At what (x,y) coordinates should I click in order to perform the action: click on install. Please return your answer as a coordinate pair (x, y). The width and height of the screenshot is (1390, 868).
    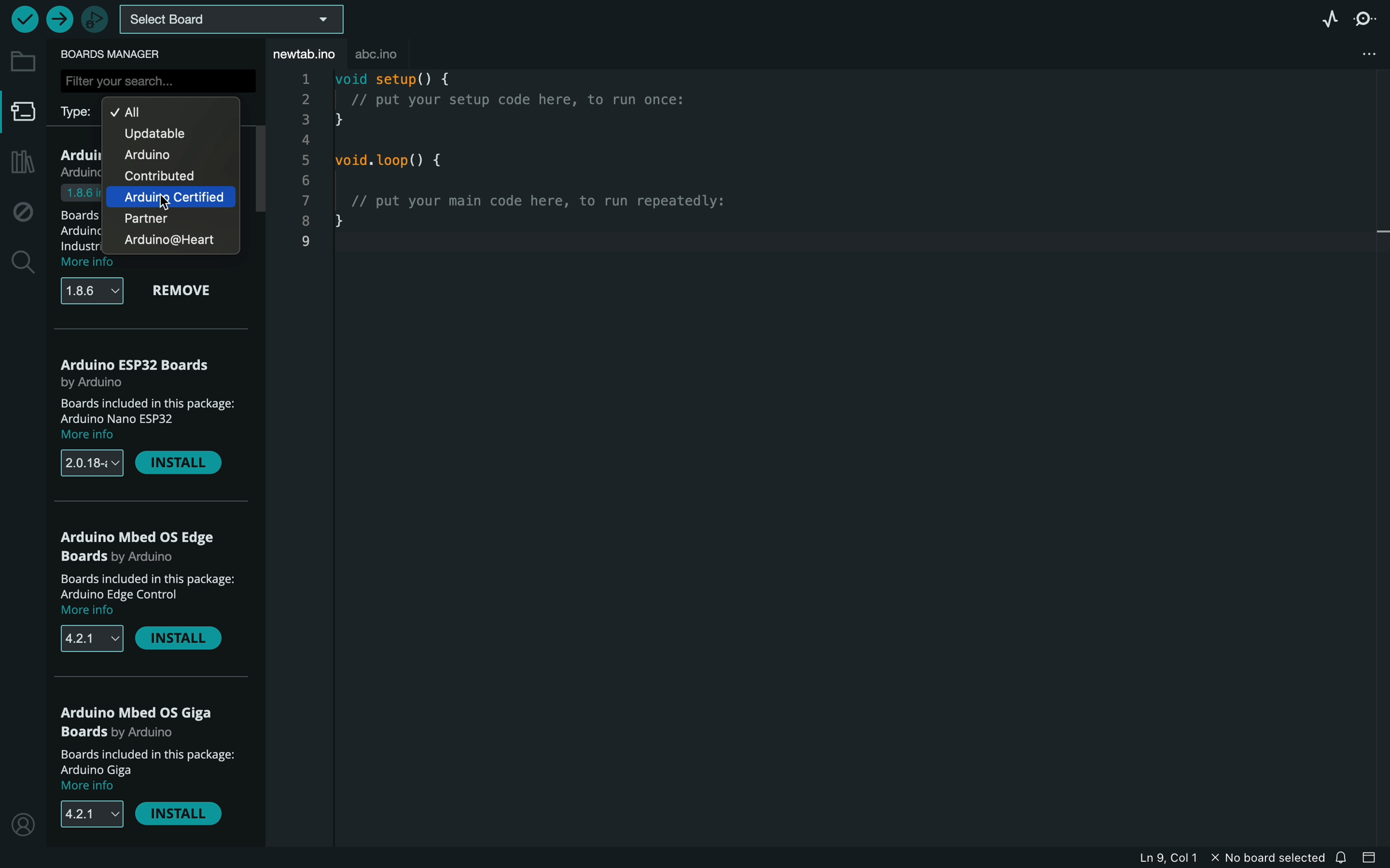
    Looking at the image, I should click on (179, 465).